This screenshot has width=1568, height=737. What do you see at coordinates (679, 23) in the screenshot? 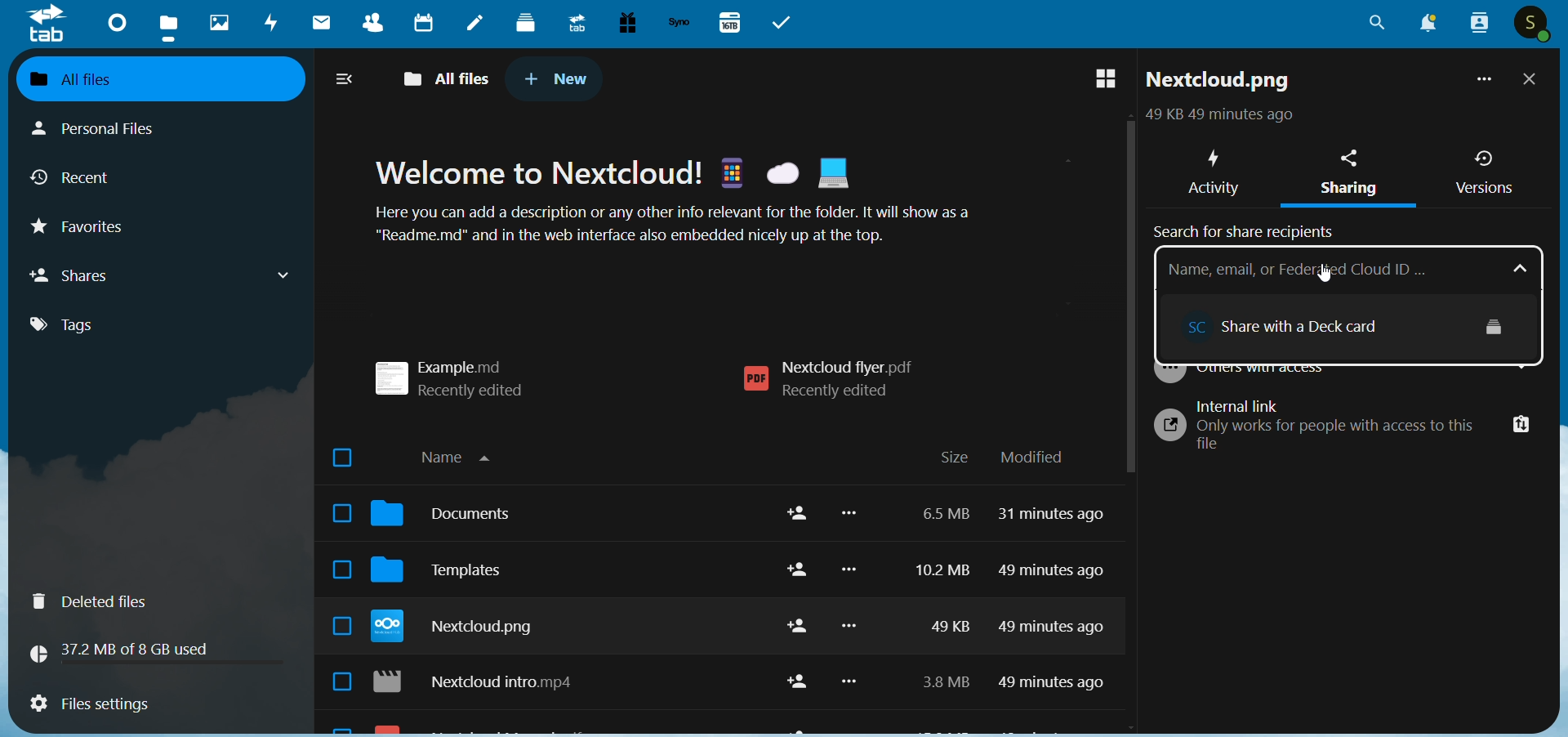
I see `synology` at bounding box center [679, 23].